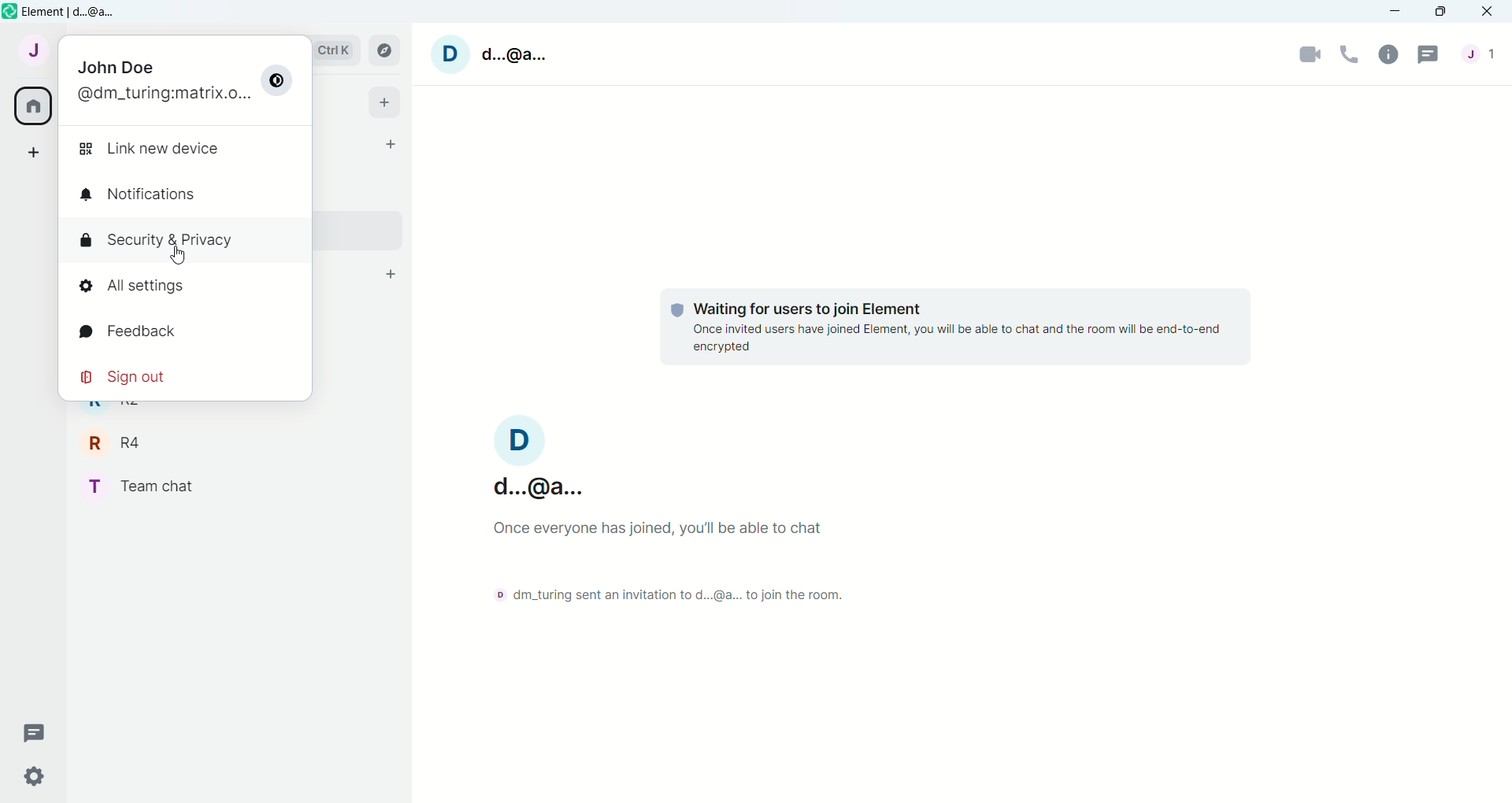 This screenshot has height=803, width=1512. Describe the element at coordinates (957, 328) in the screenshot. I see `Waiting for users to join Element Once invited users have joined Element, you will be able to chat and the room will be end-to-end encrypted` at that location.